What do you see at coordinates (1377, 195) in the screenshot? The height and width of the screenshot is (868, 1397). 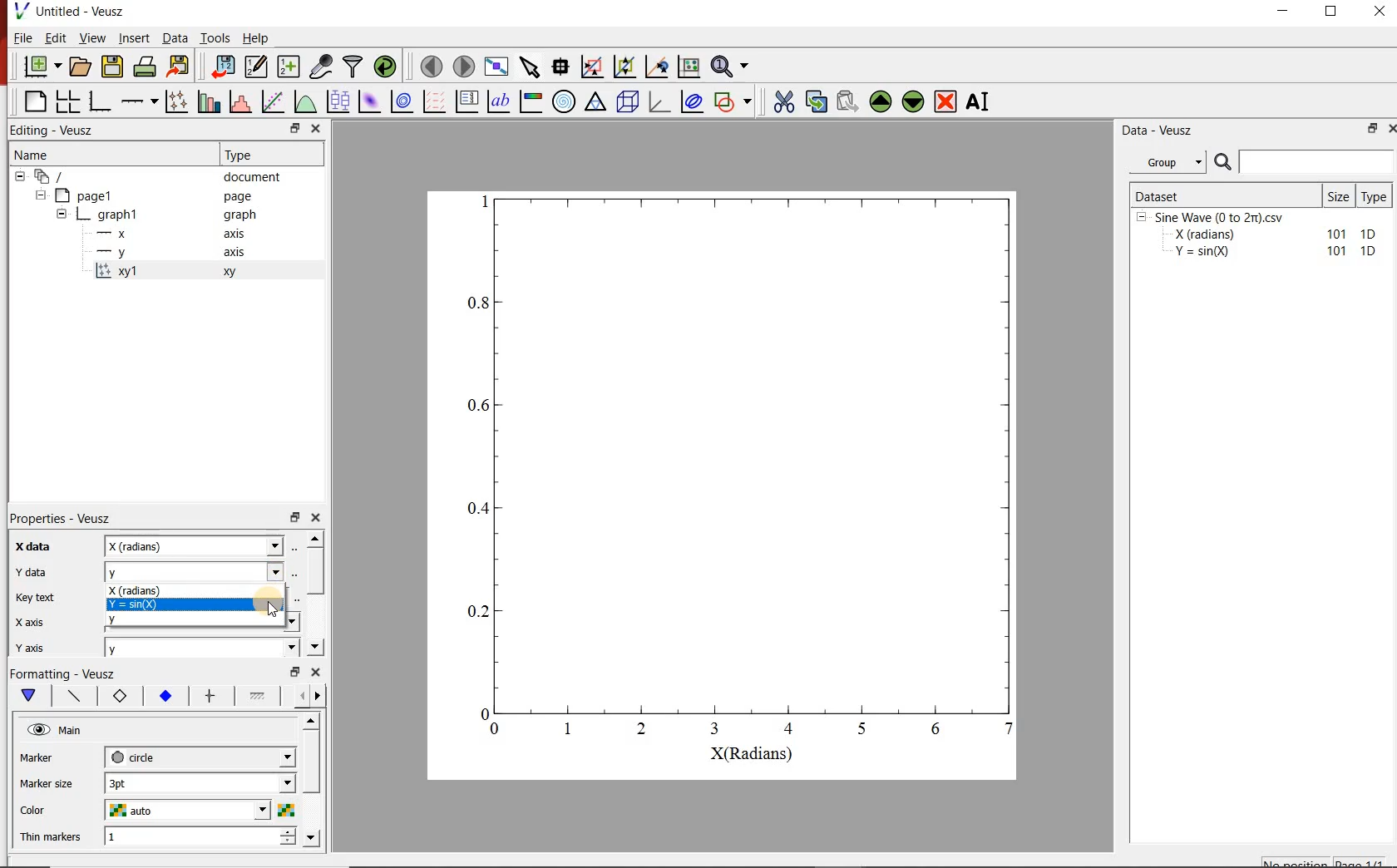 I see `Type` at bounding box center [1377, 195].